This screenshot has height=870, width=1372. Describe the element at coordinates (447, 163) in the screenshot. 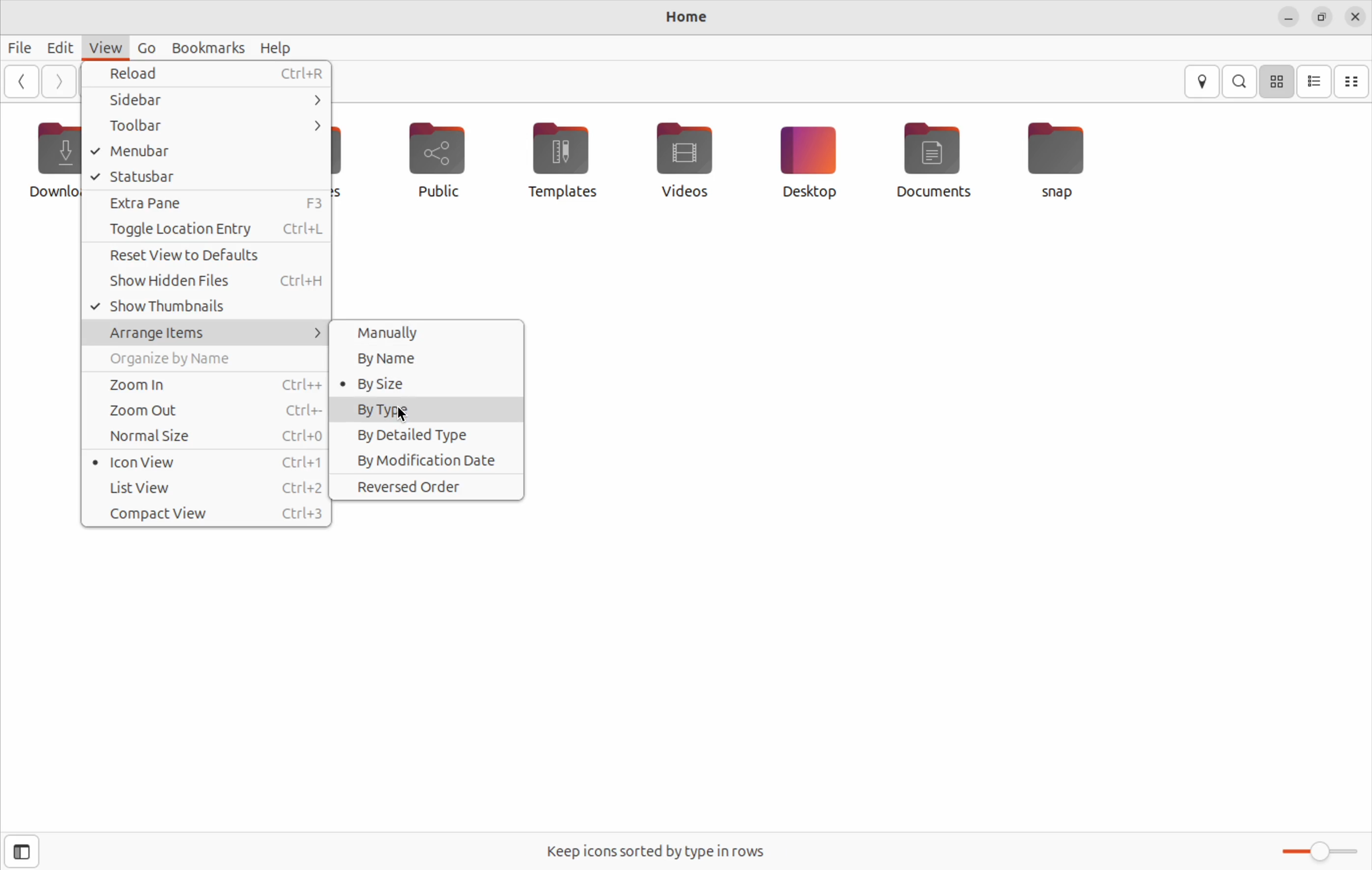

I see `public ` at that location.